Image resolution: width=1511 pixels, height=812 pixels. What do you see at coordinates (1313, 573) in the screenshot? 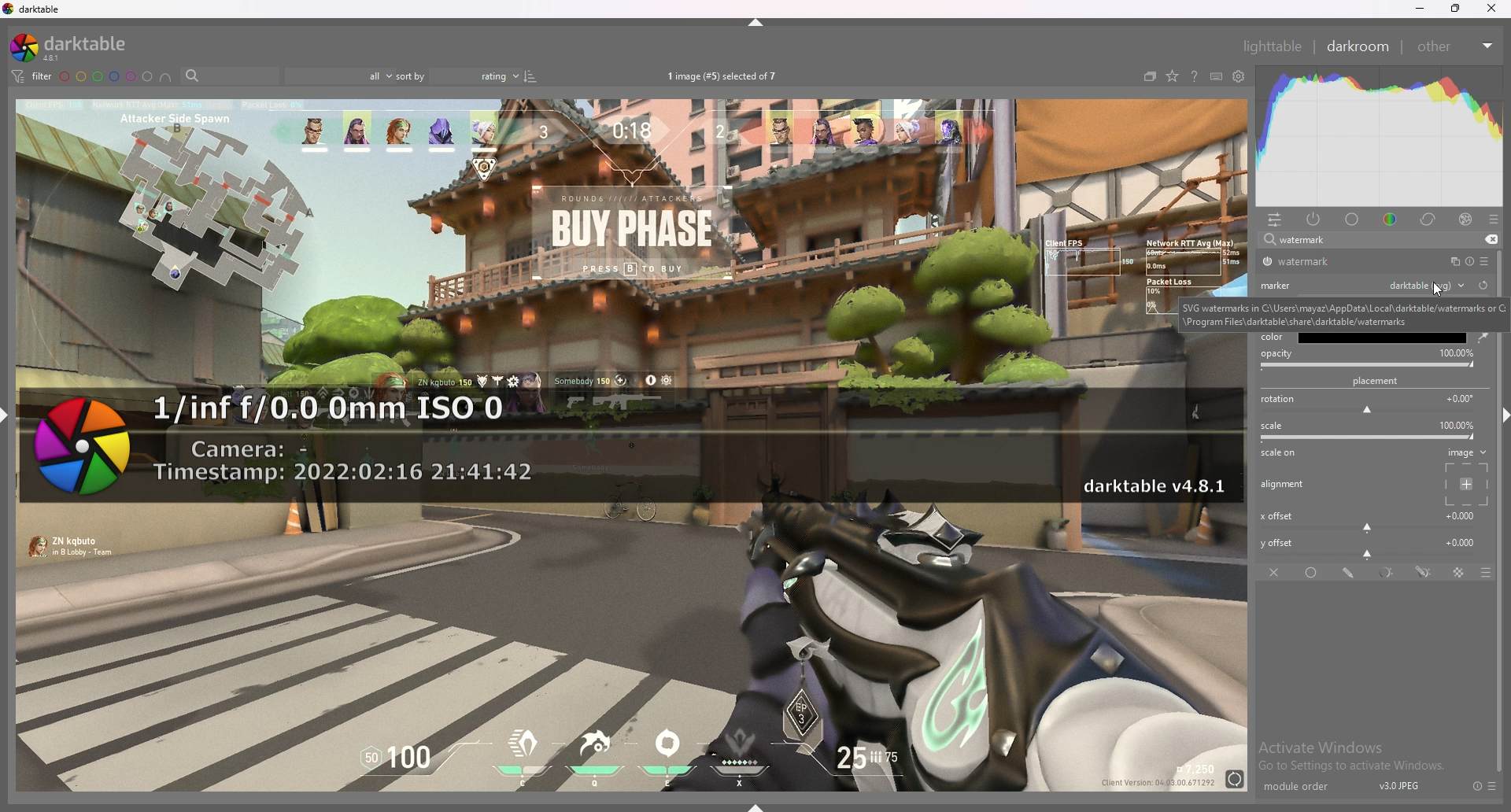
I see `uniformly` at bounding box center [1313, 573].